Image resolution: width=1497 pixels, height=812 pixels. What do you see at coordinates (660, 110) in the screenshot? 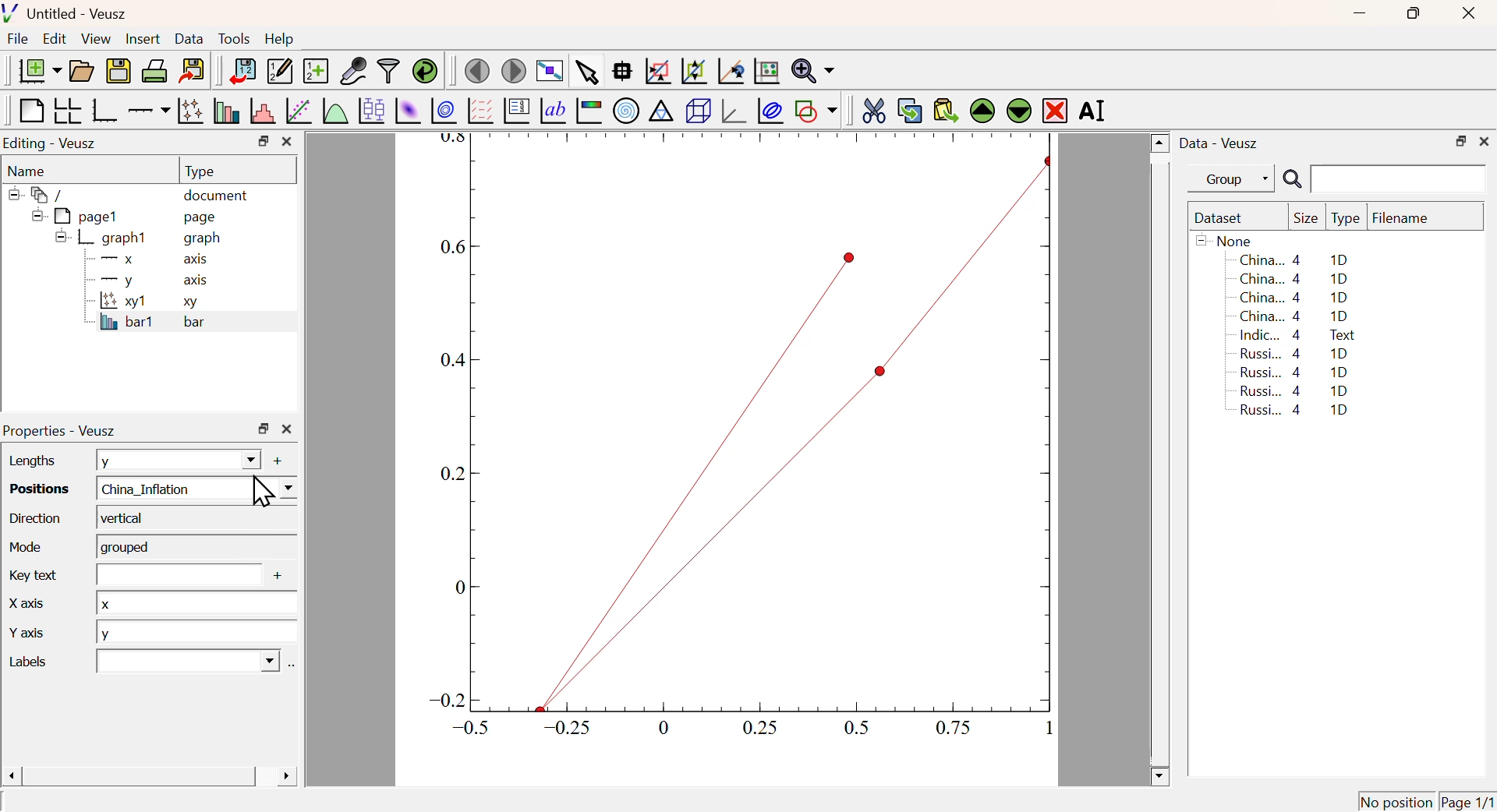
I see `Ternary Graph` at bounding box center [660, 110].